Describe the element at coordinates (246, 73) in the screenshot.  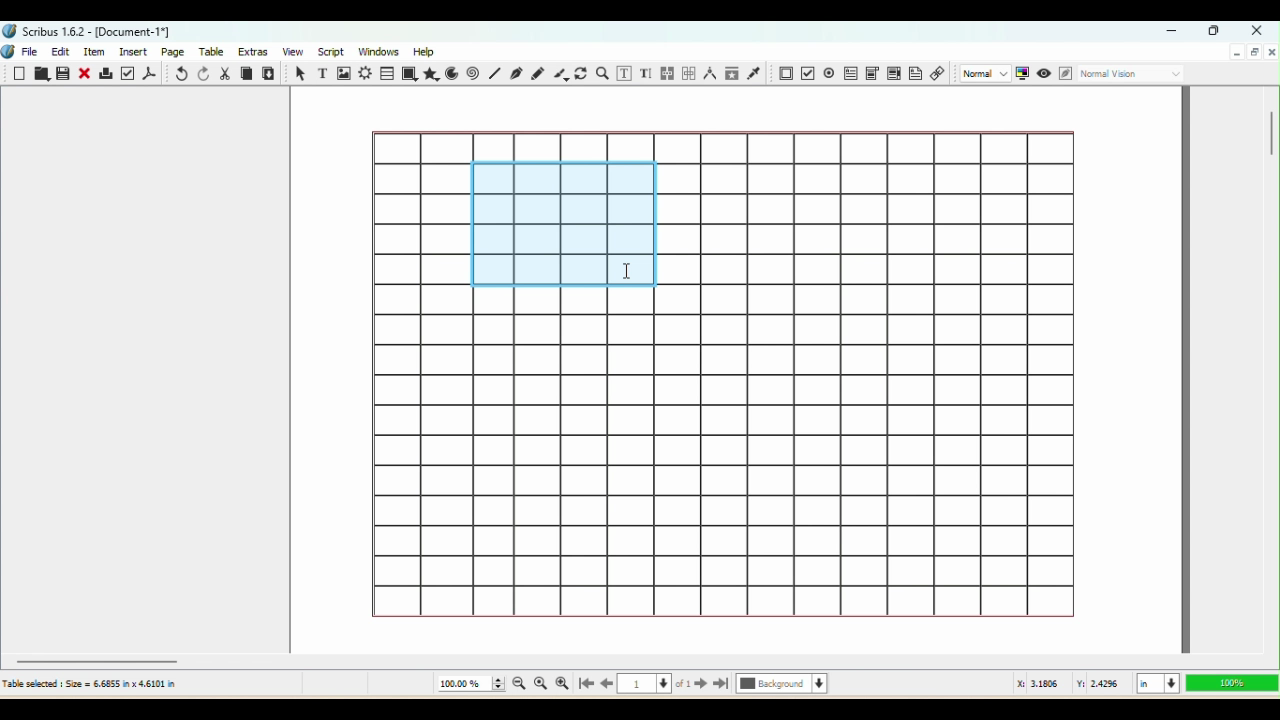
I see `Copy` at that location.